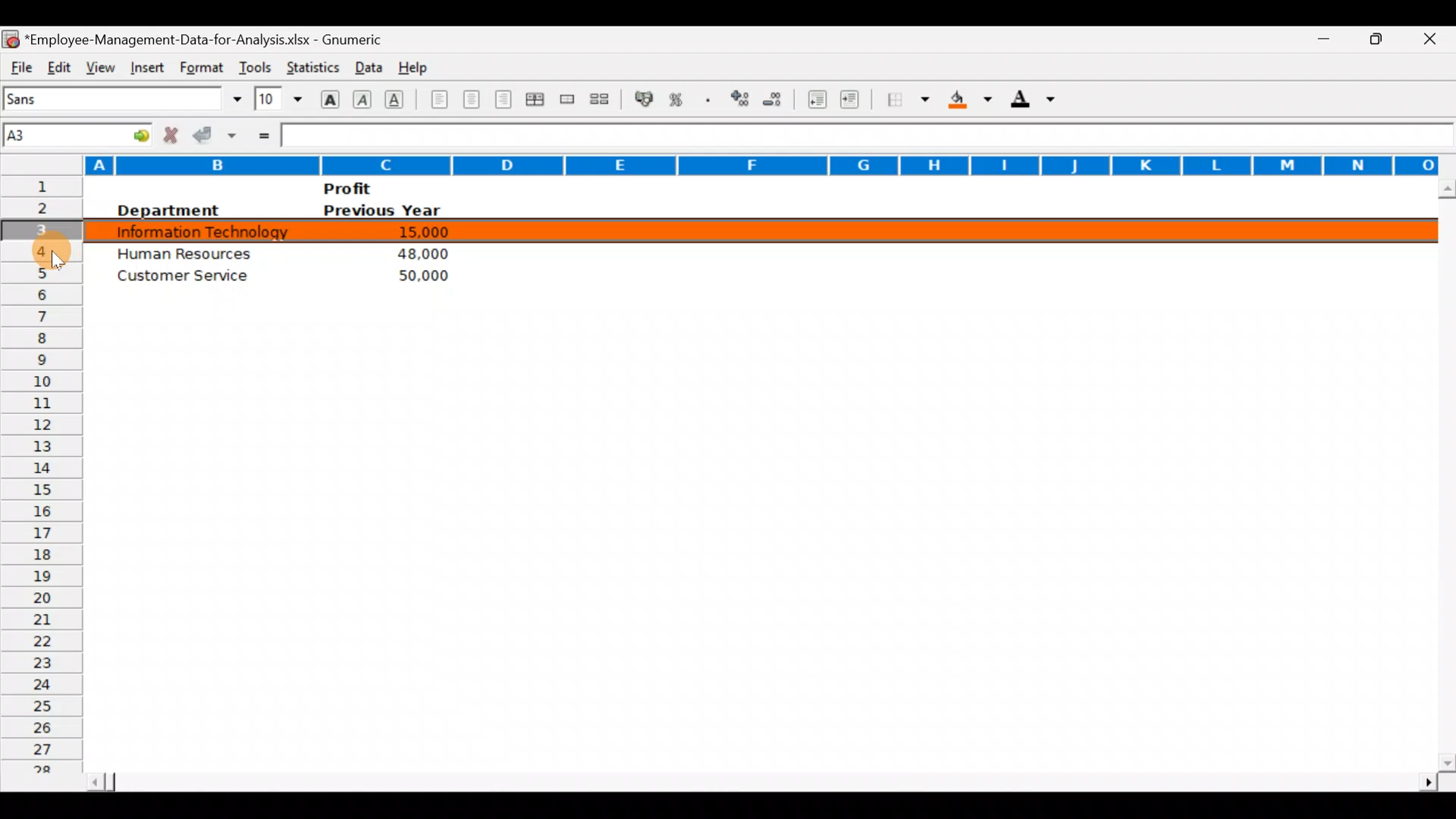 Image resolution: width=1456 pixels, height=819 pixels. What do you see at coordinates (414, 64) in the screenshot?
I see `Help` at bounding box center [414, 64].